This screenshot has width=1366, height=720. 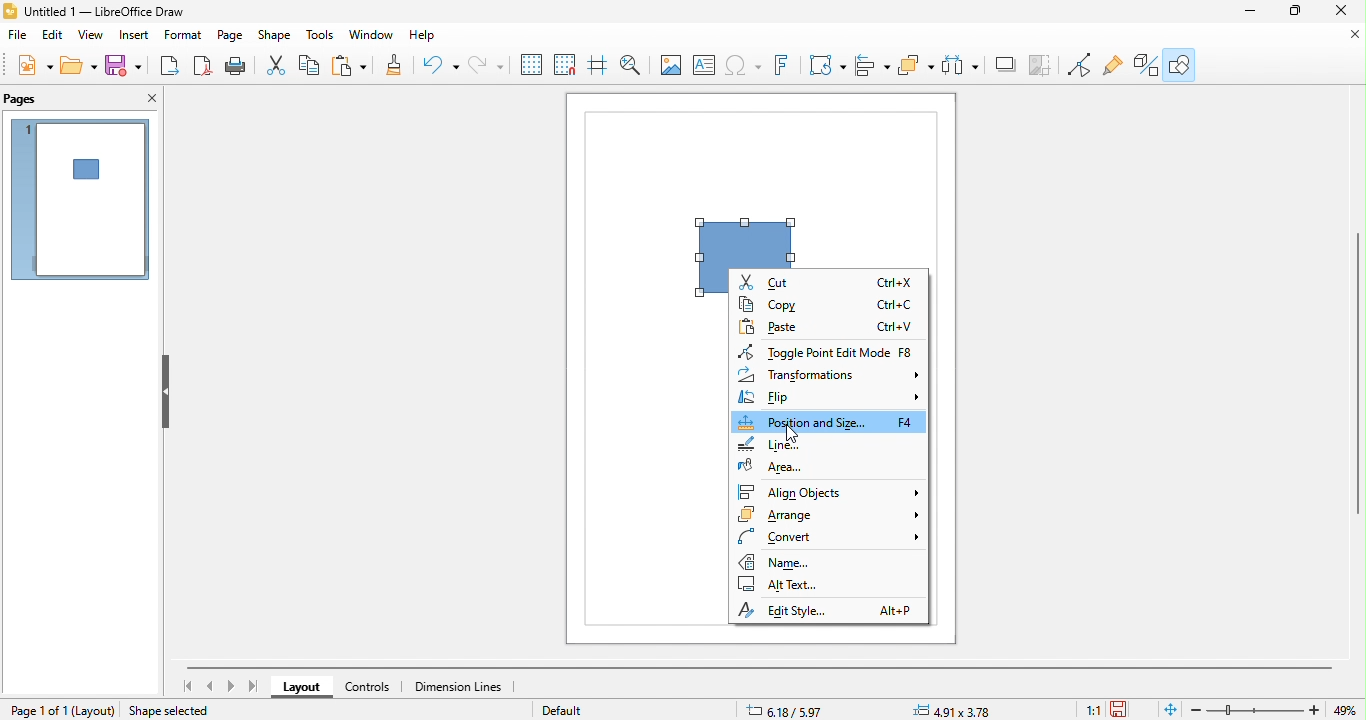 What do you see at coordinates (813, 353) in the screenshot?
I see `toggle point edit mode` at bounding box center [813, 353].